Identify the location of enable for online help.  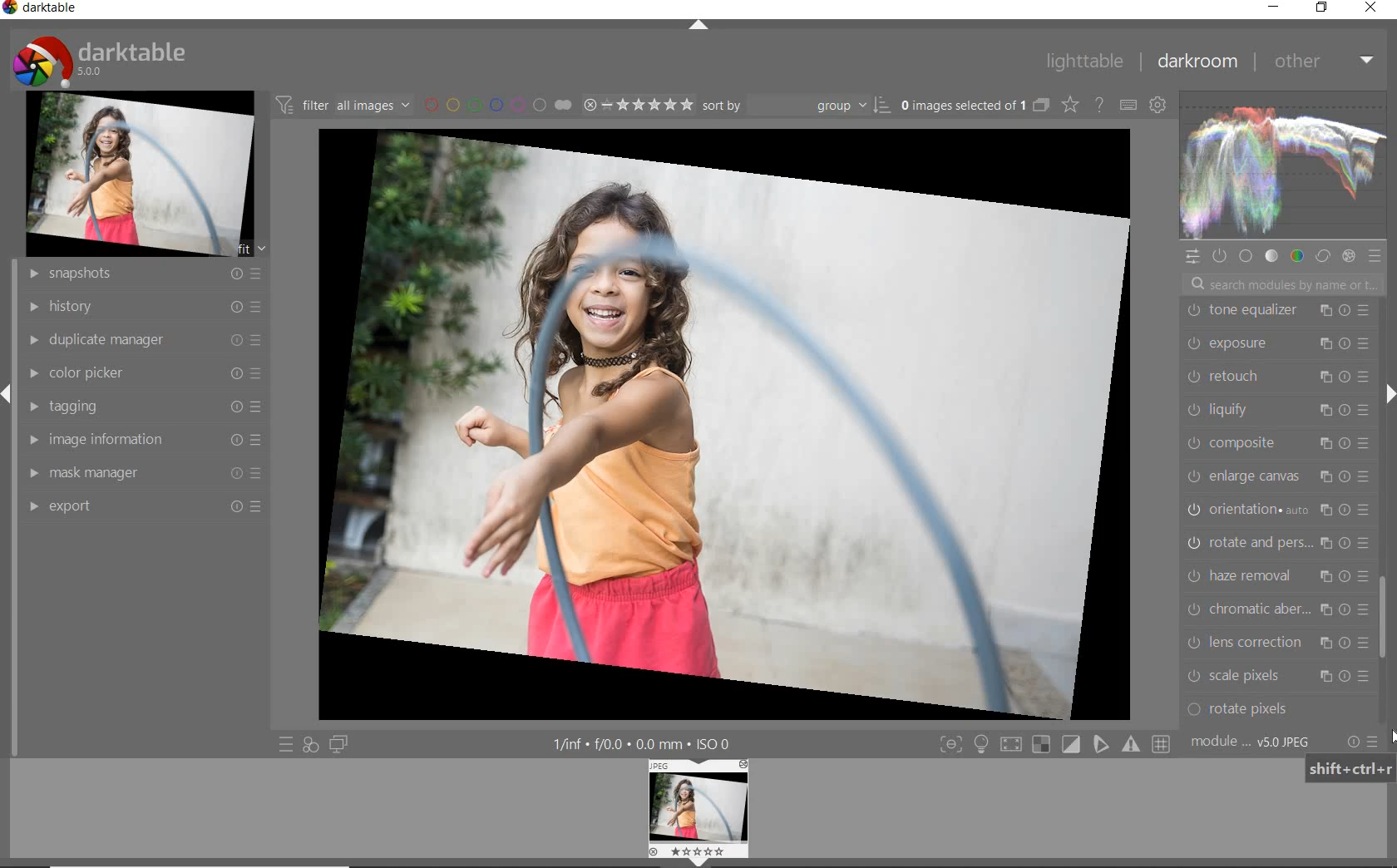
(1099, 105).